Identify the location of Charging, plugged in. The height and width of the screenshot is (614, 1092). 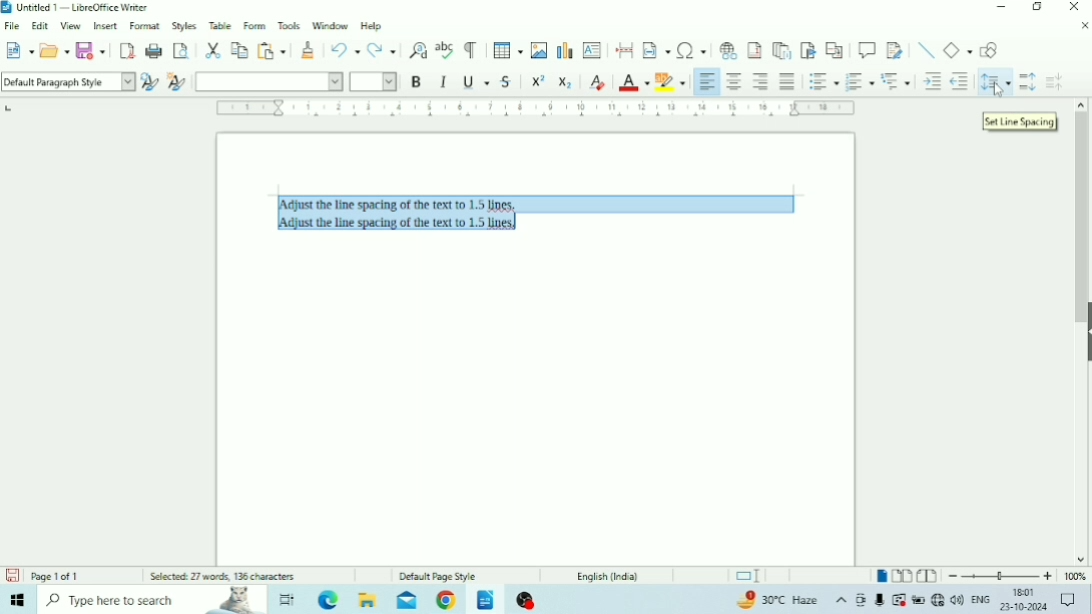
(918, 599).